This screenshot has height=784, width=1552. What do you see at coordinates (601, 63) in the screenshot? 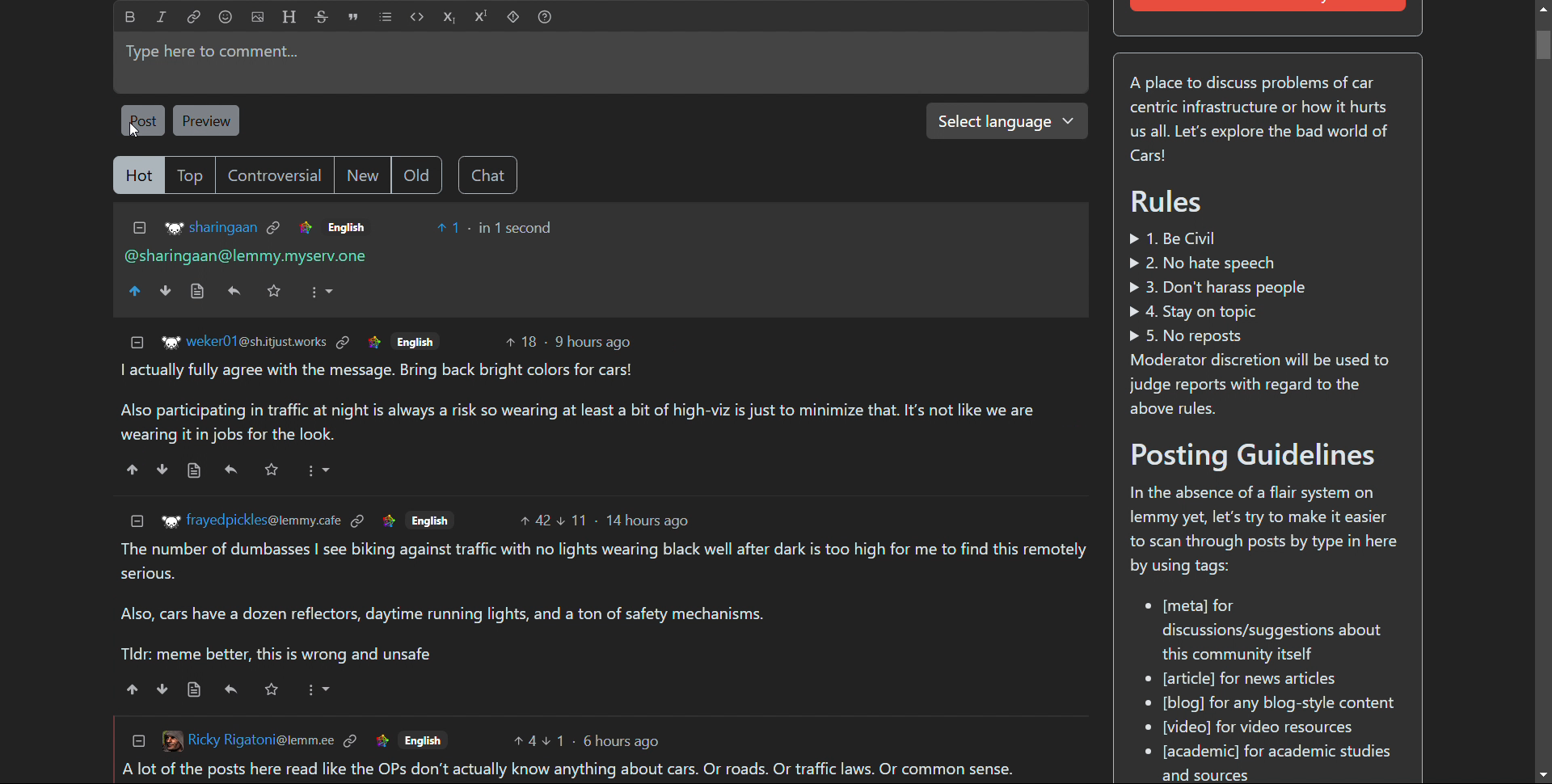
I see `type here to comment` at bounding box center [601, 63].